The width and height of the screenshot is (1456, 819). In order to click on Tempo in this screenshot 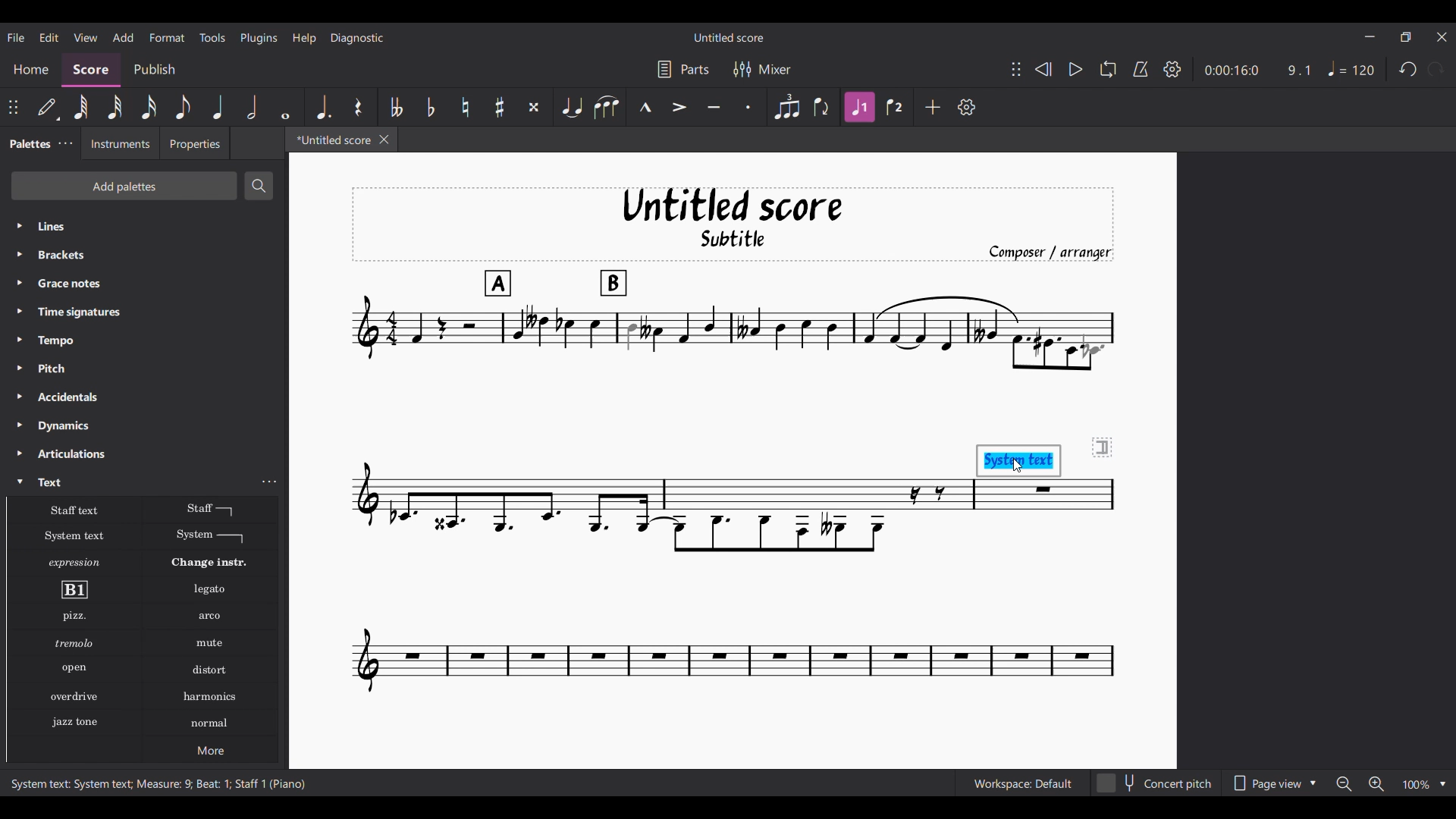, I will do `click(1351, 69)`.